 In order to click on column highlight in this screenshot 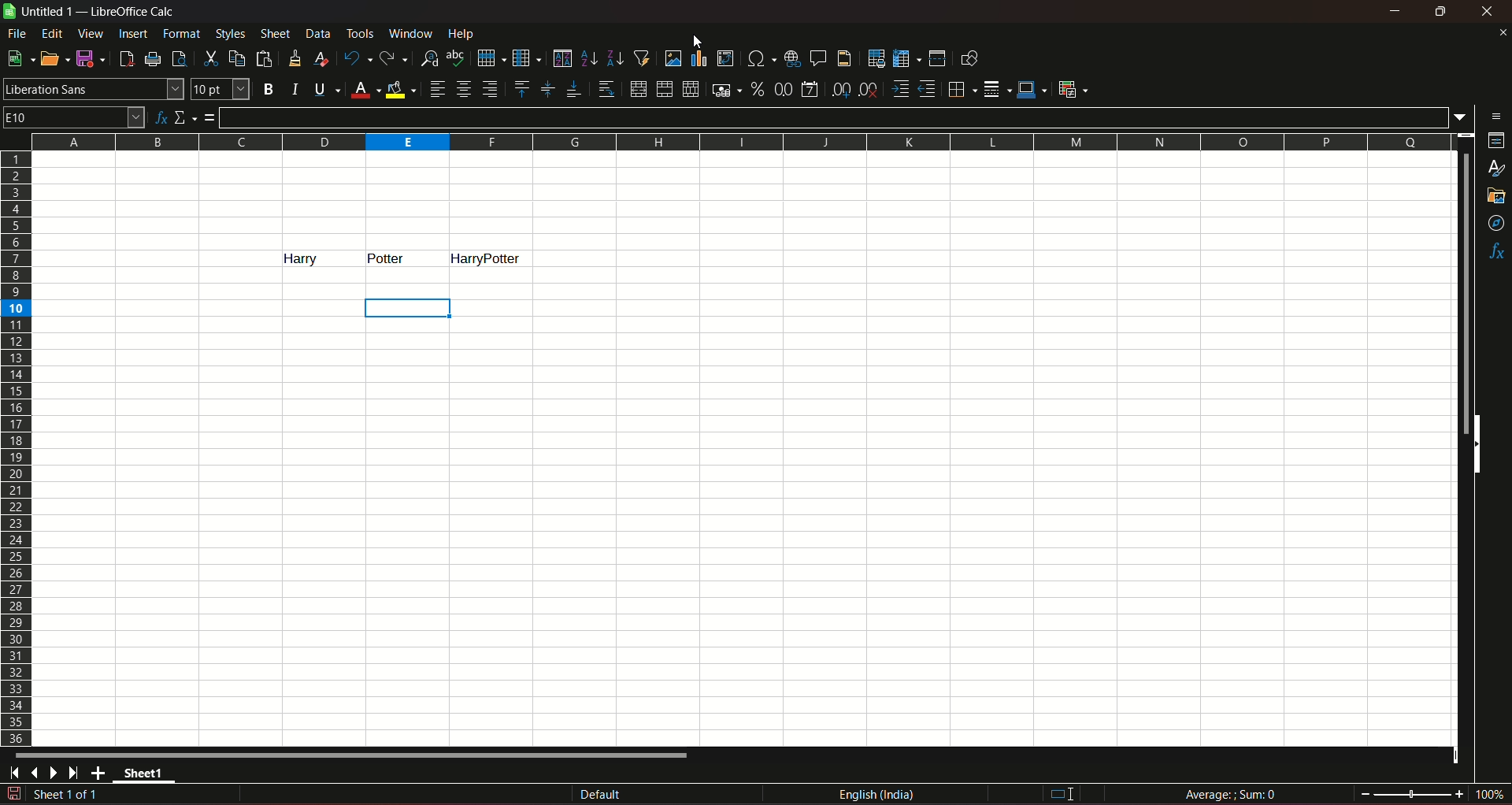, I will do `click(488, 257)`.